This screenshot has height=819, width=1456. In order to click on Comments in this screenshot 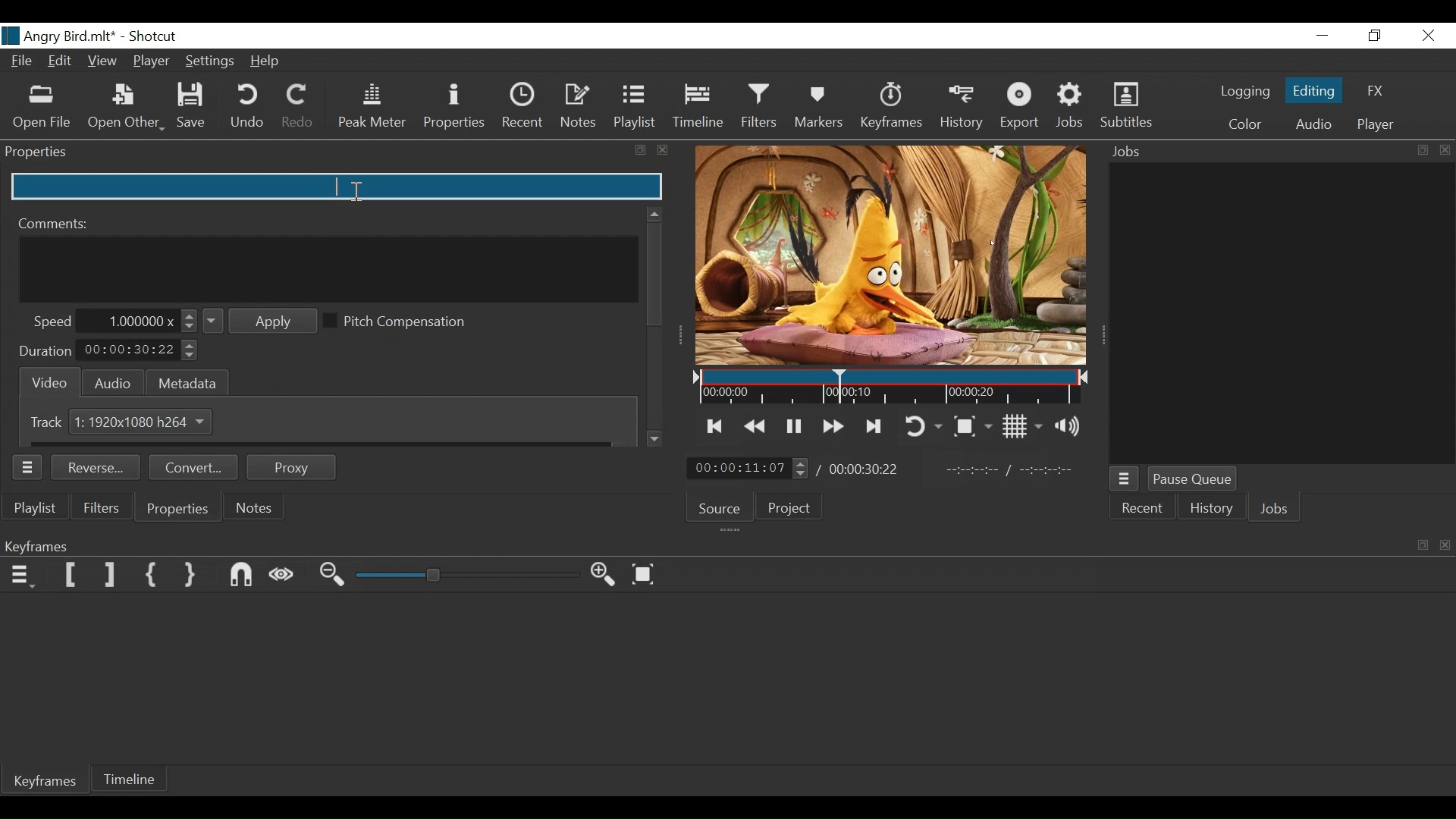, I will do `click(55, 223)`.